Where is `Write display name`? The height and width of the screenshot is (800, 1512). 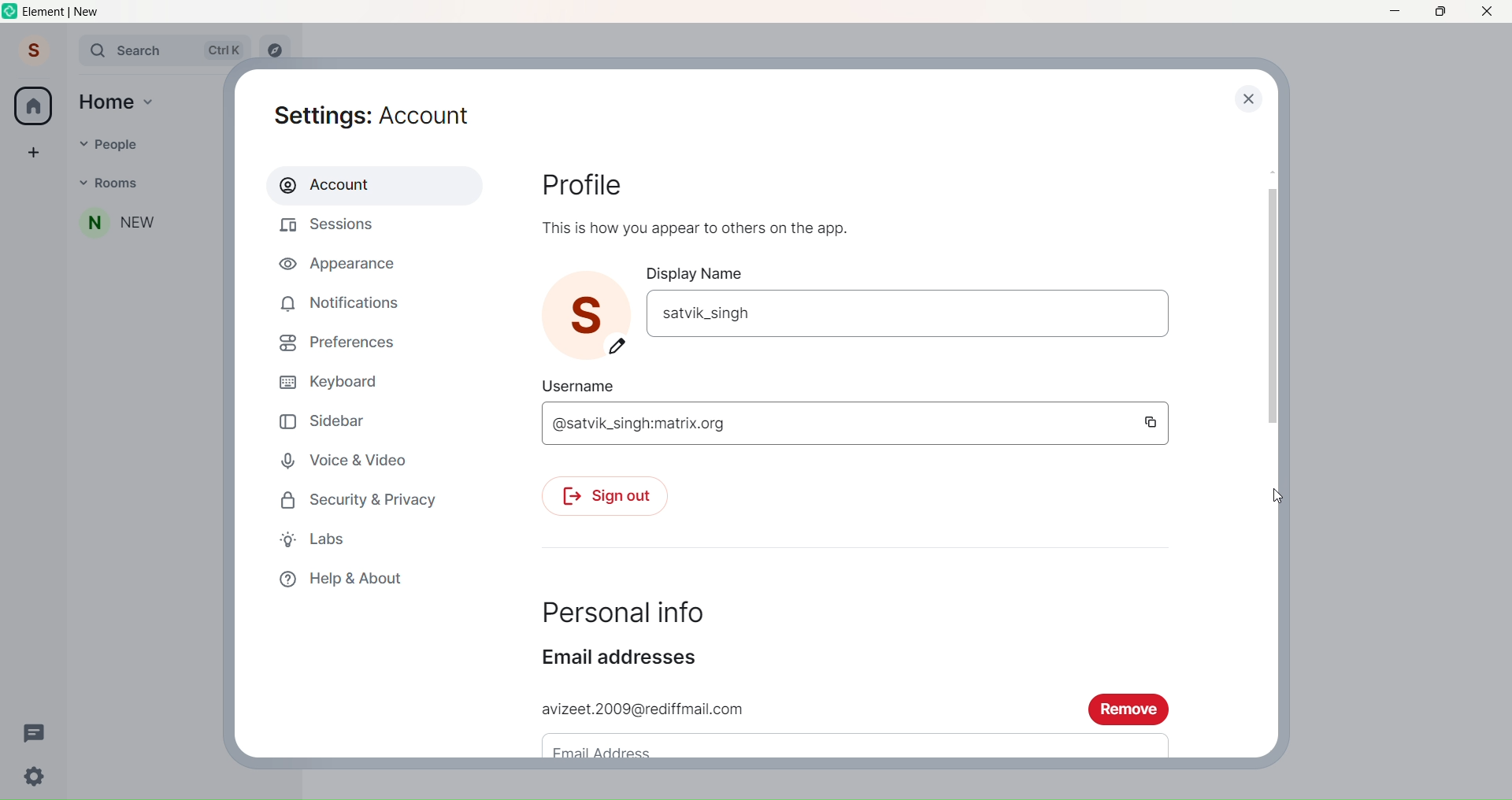
Write display name is located at coordinates (906, 312).